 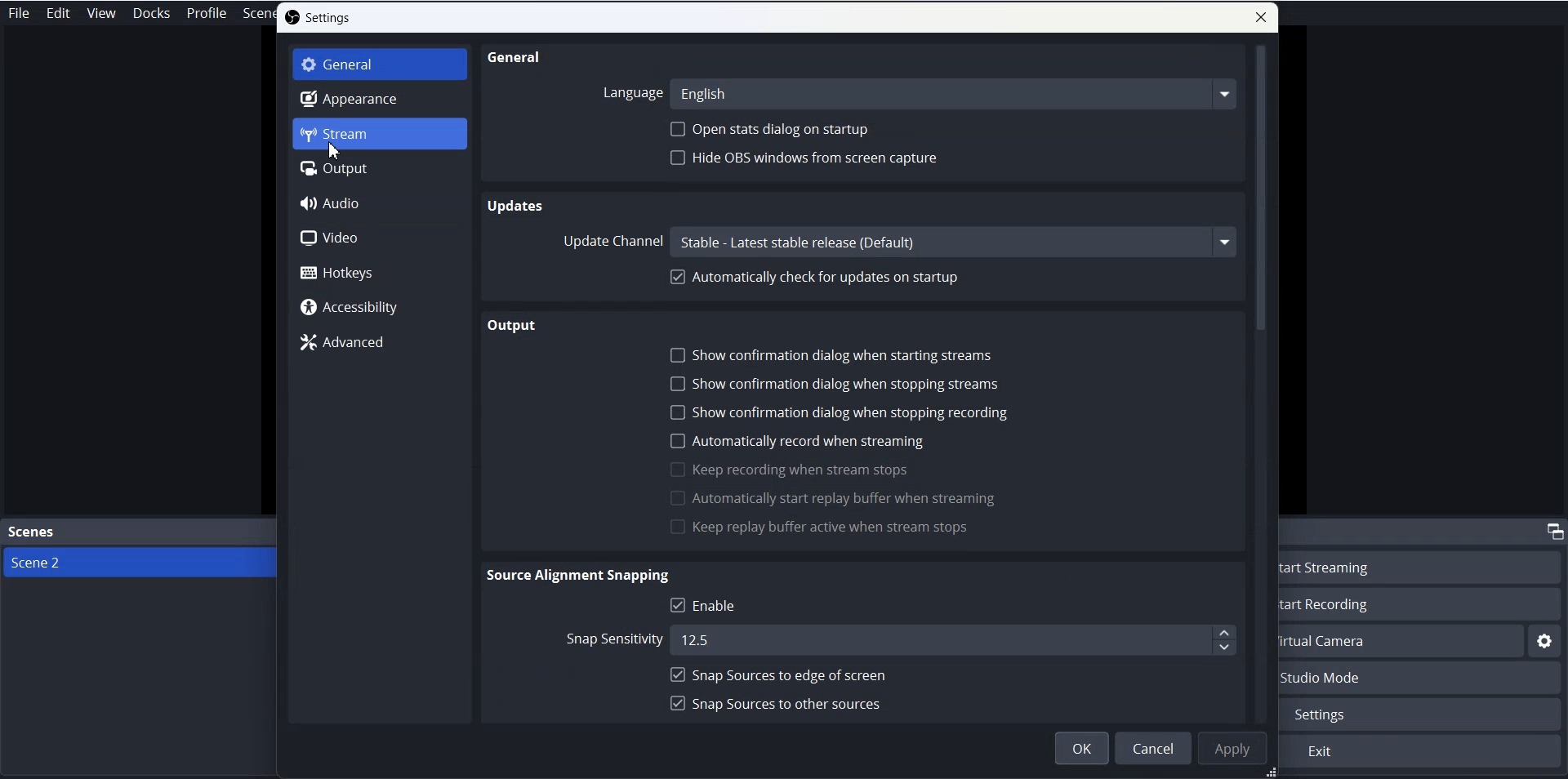 What do you see at coordinates (318, 17) in the screenshot?
I see `Settings` at bounding box center [318, 17].